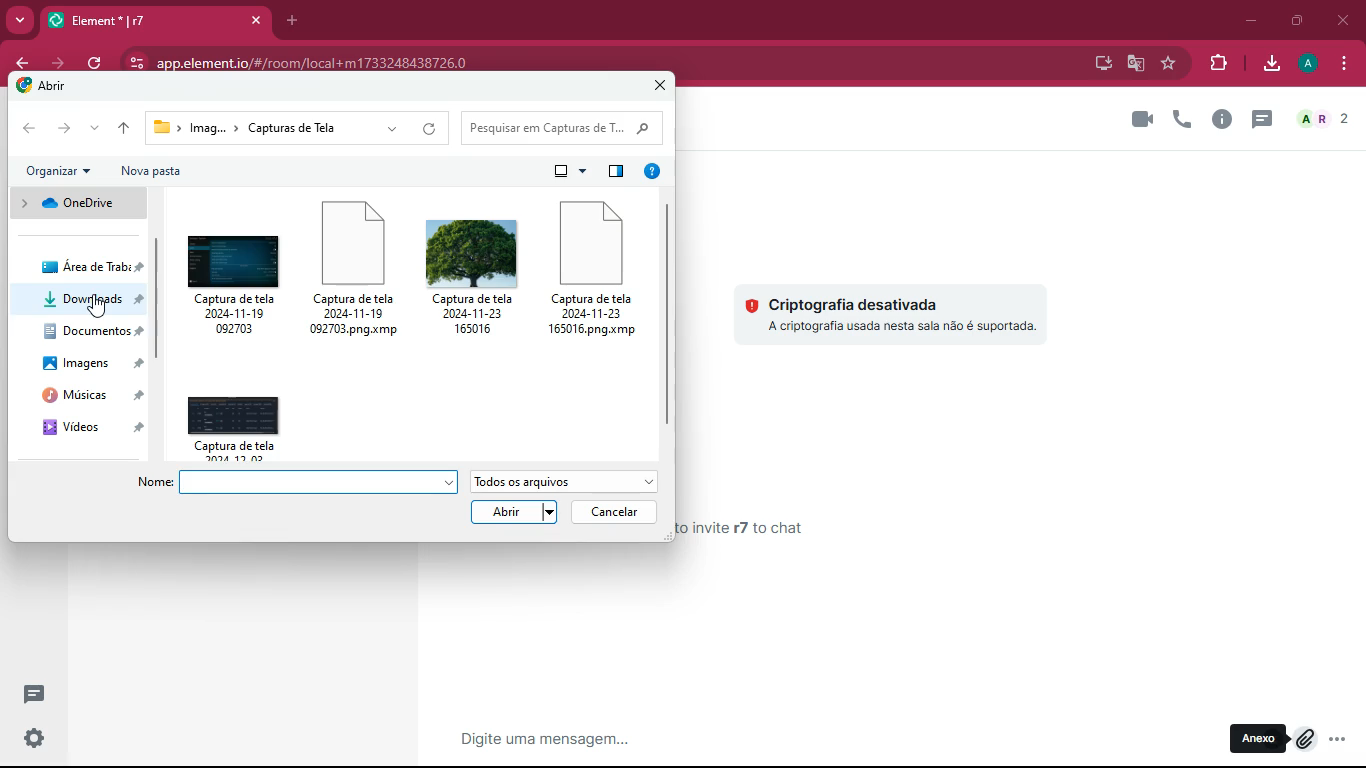 Image resolution: width=1366 pixels, height=768 pixels. Describe the element at coordinates (95, 265) in the screenshot. I see `area de trabl` at that location.